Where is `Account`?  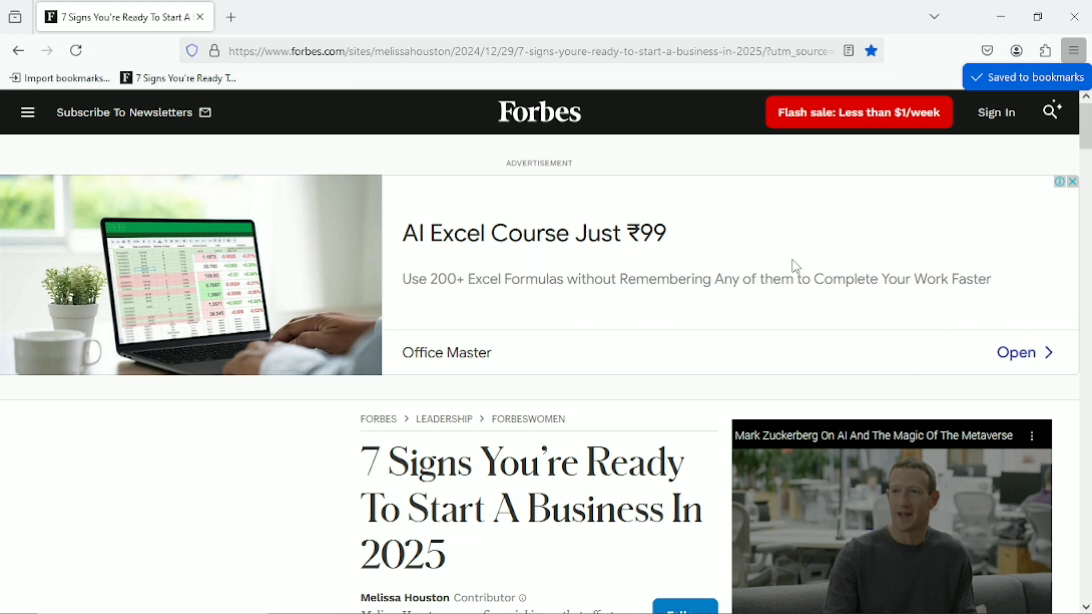 Account is located at coordinates (1016, 49).